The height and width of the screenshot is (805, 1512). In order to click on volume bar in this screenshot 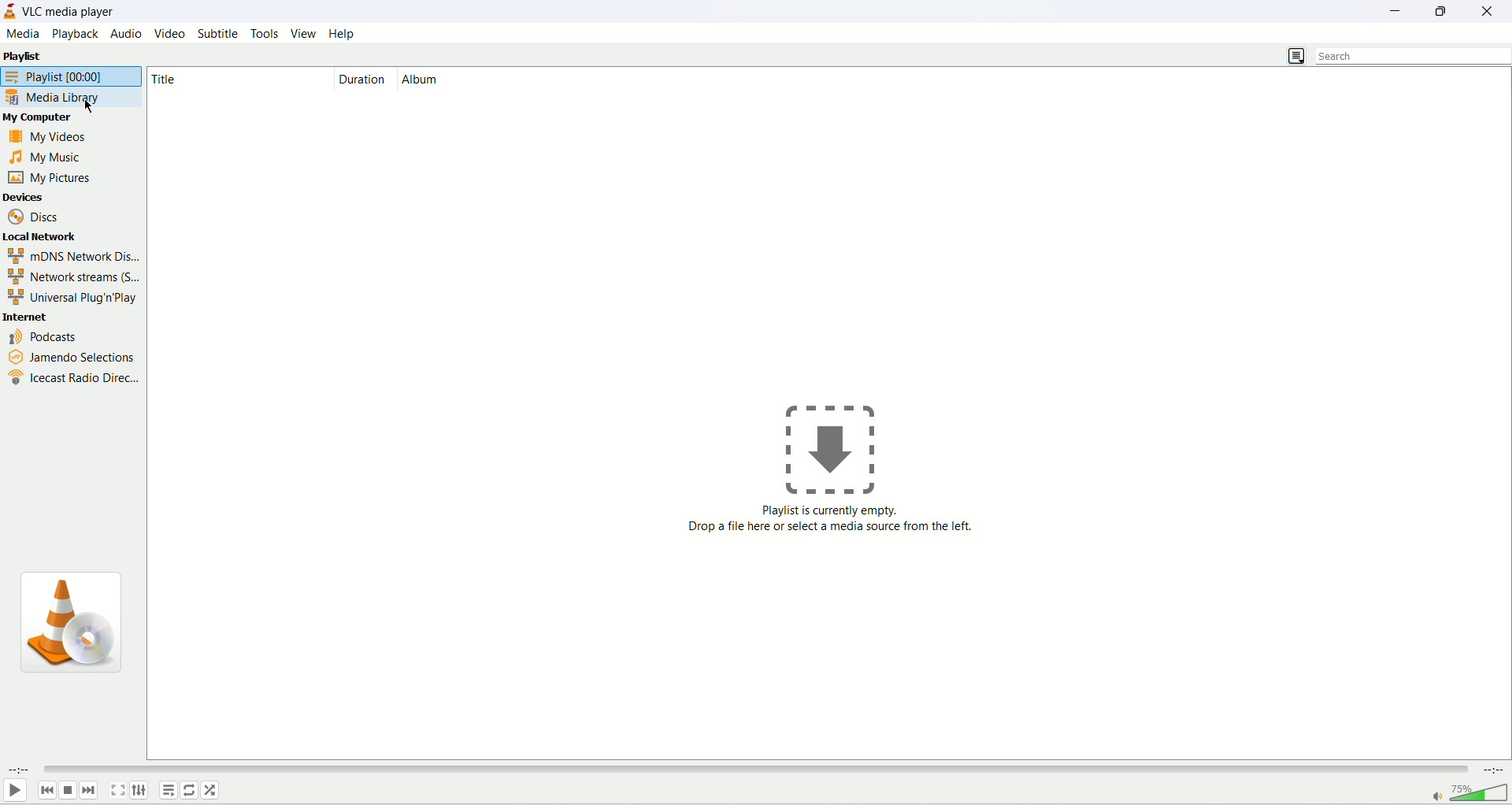, I will do `click(1468, 792)`.